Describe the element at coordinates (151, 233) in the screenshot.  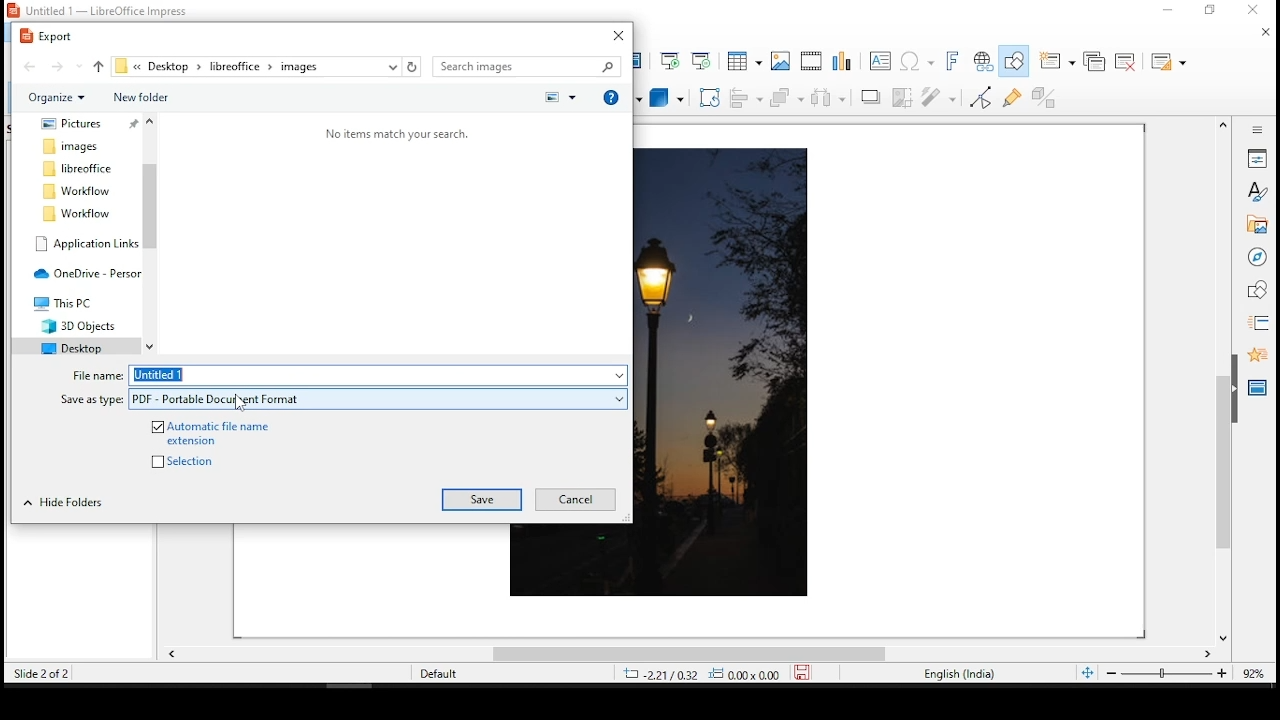
I see `scroll bar` at that location.